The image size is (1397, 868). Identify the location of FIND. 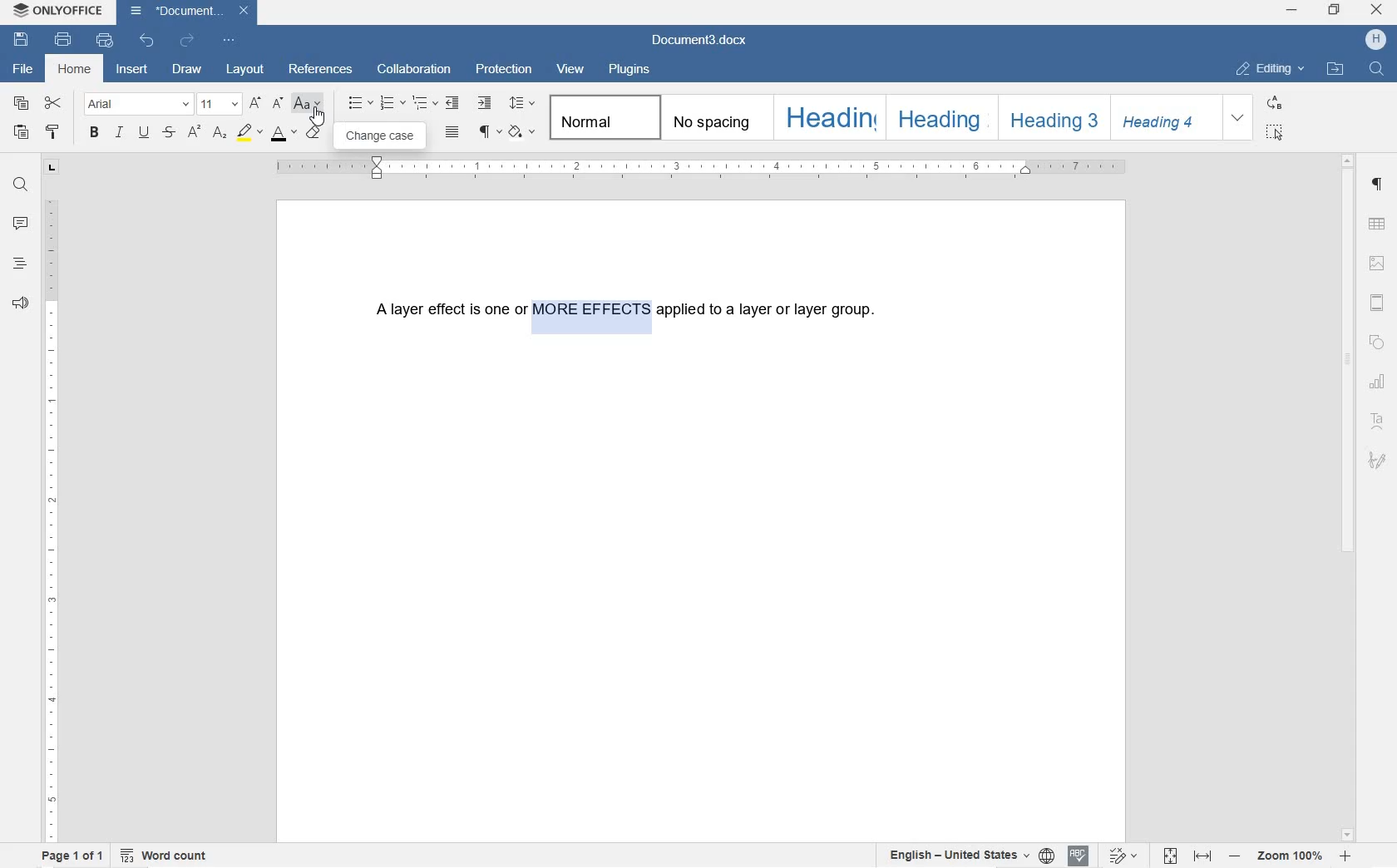
(21, 184).